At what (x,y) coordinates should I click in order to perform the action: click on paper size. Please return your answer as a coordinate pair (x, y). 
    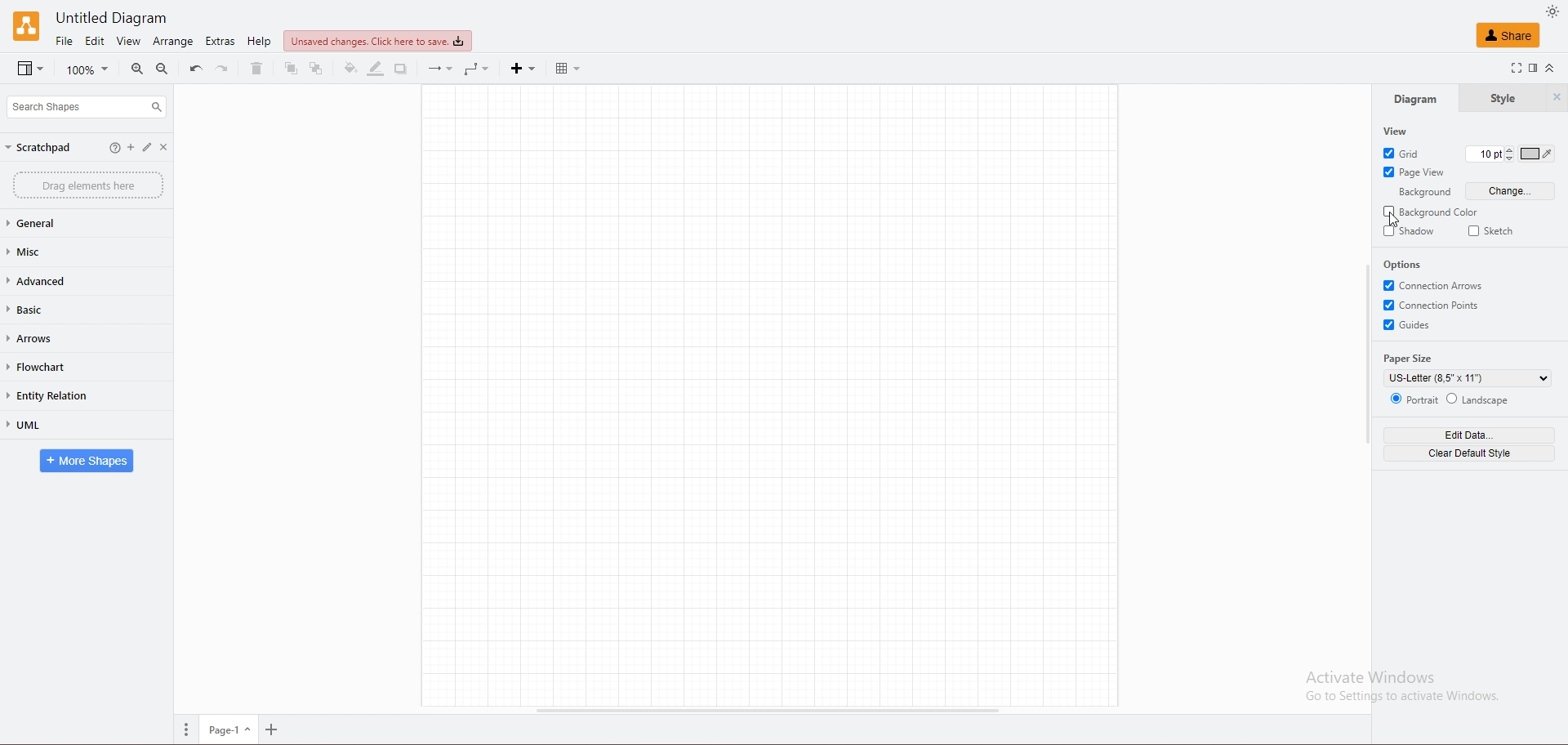
    Looking at the image, I should click on (1411, 359).